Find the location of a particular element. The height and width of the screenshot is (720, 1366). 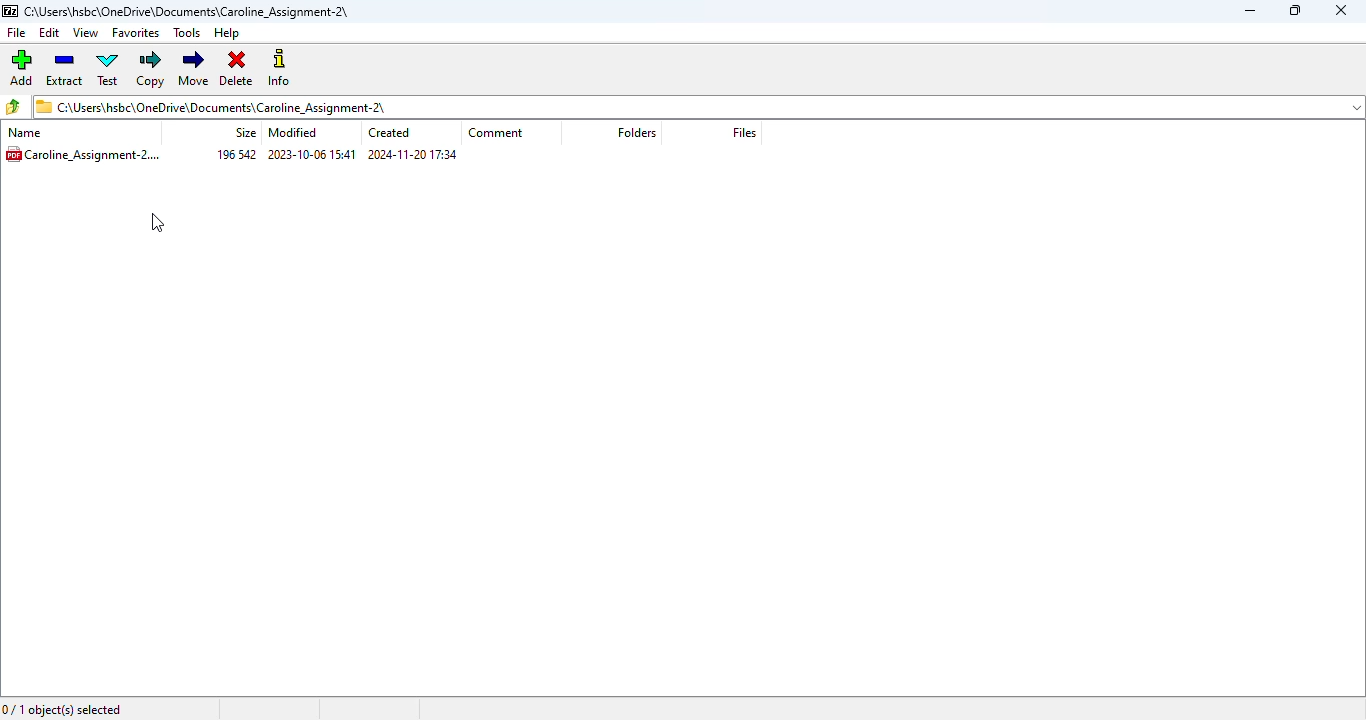

Size is located at coordinates (242, 132).